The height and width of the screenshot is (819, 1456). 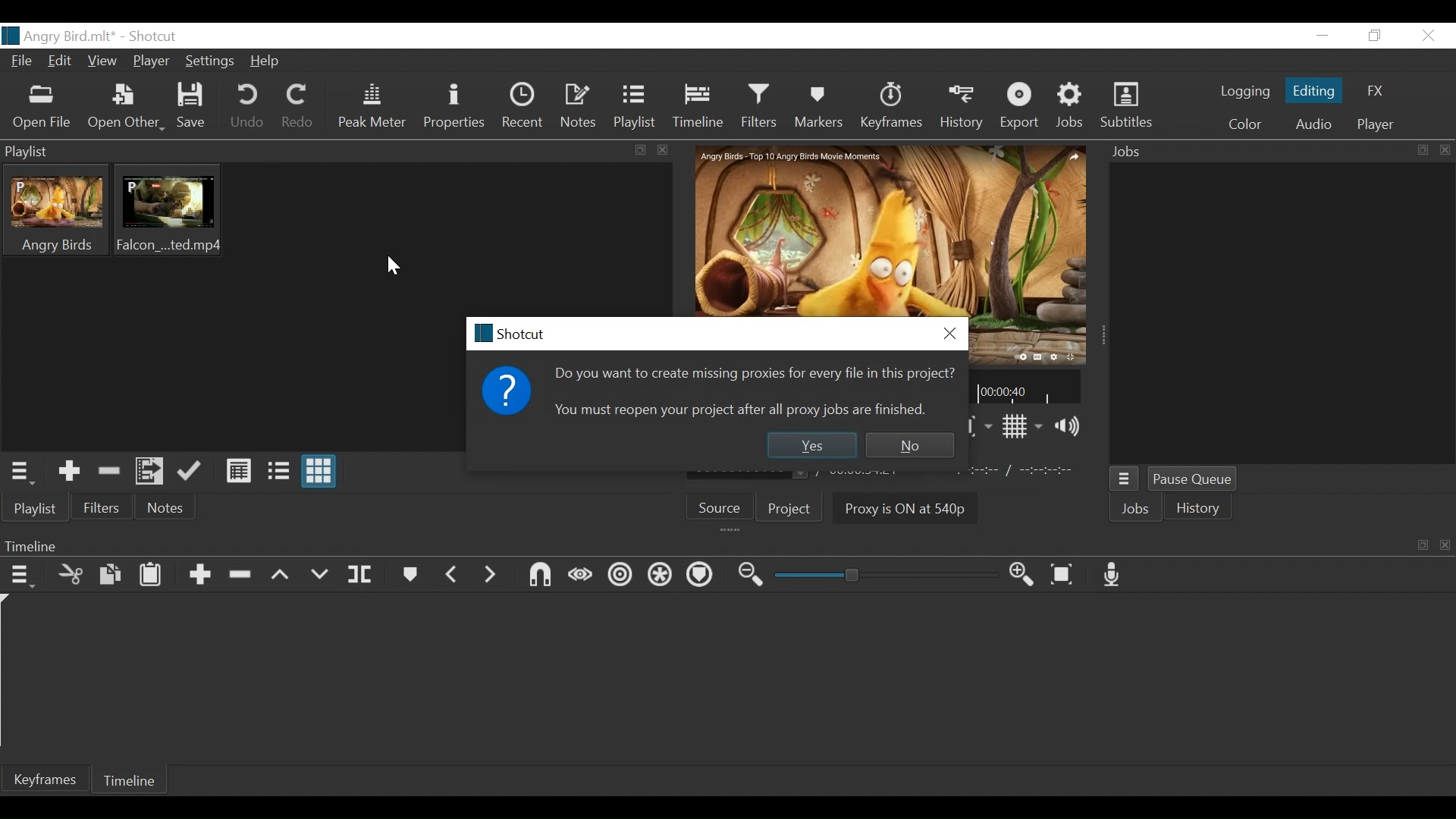 I want to click on Jobs Panel, so click(x=1282, y=315).